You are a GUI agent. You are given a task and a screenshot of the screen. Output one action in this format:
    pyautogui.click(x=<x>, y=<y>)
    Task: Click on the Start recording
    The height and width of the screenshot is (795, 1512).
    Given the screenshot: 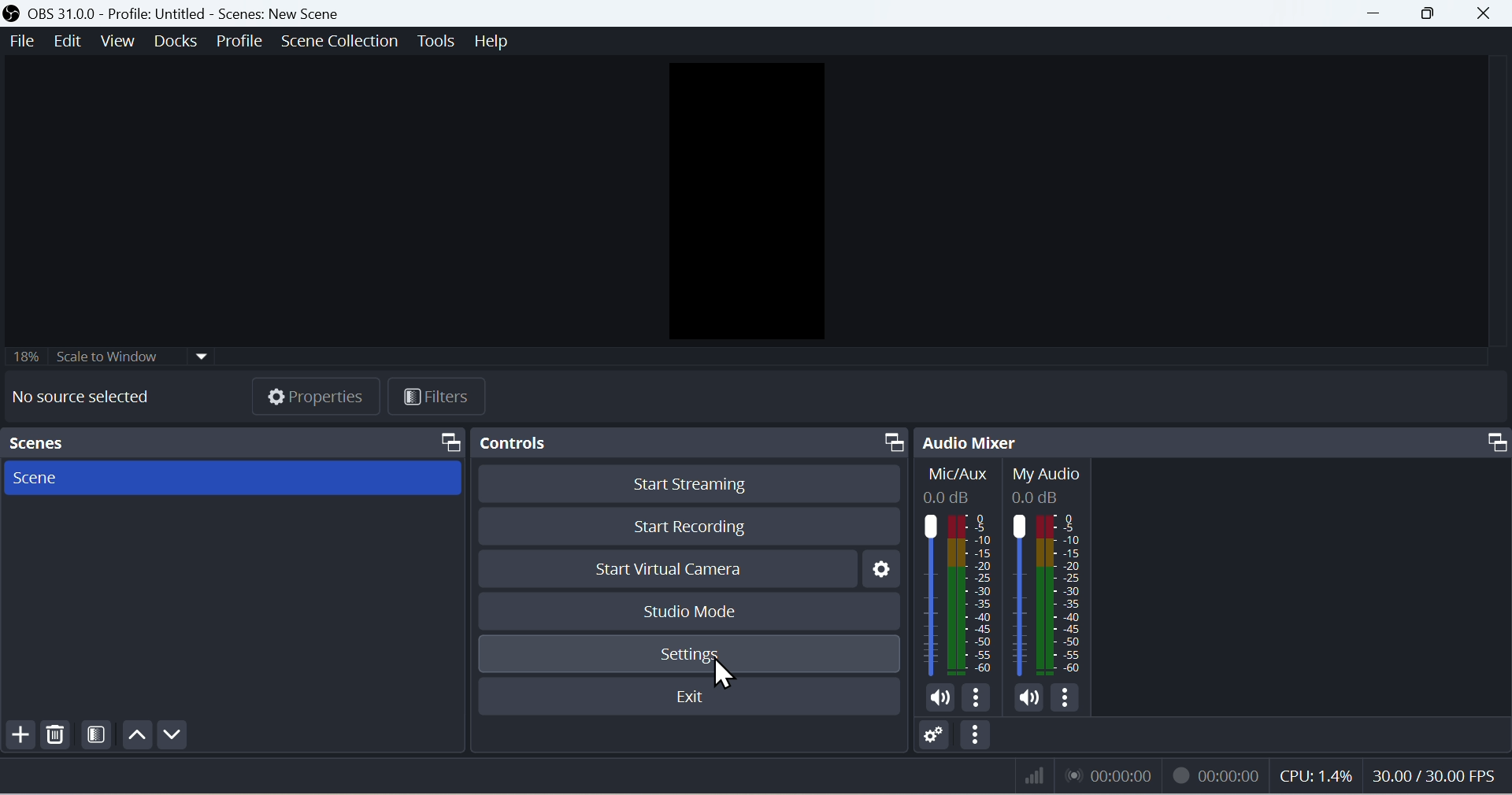 What is the action you would take?
    pyautogui.click(x=685, y=526)
    